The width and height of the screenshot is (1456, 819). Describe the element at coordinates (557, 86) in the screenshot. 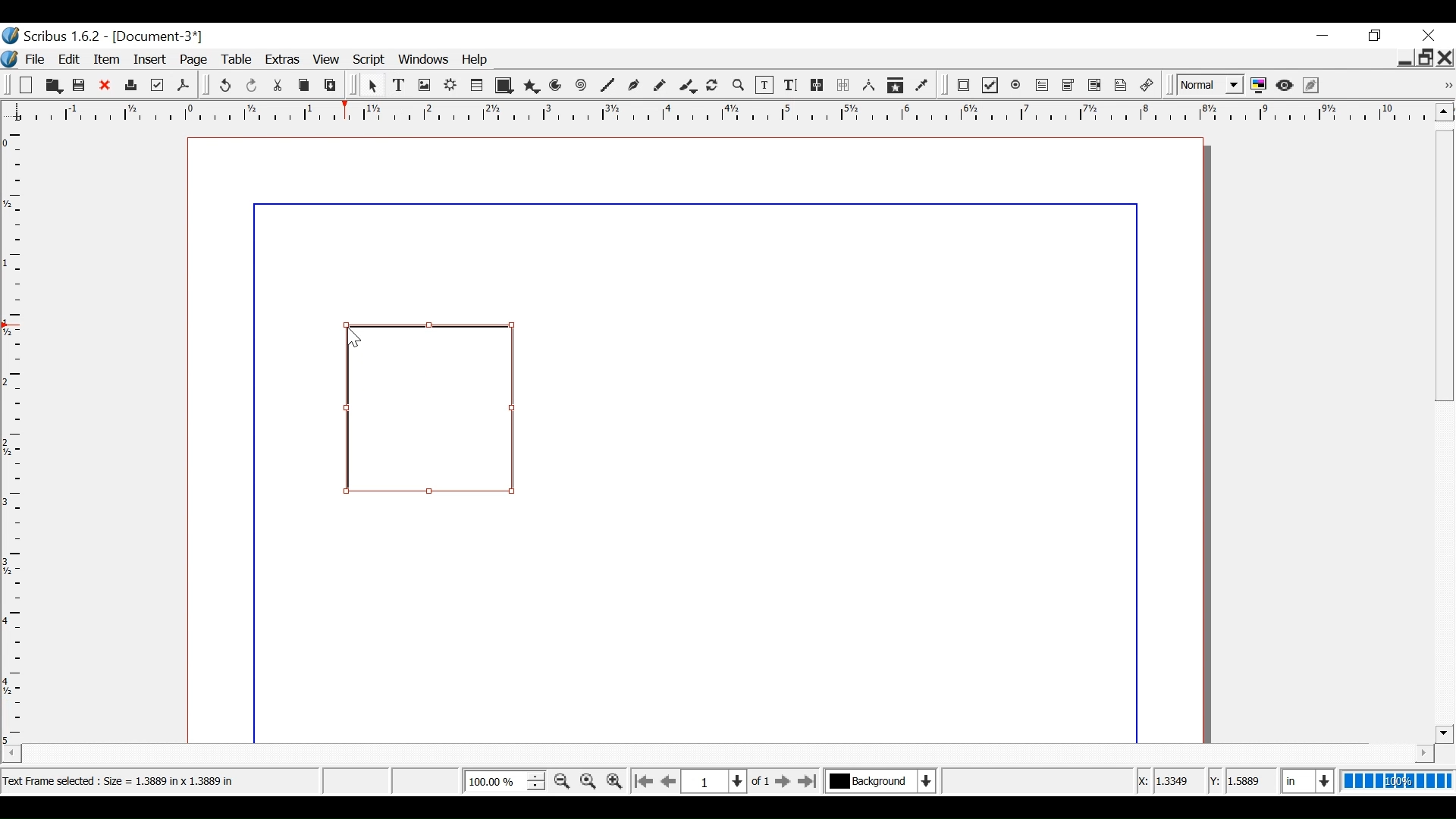

I see `Arc` at that location.